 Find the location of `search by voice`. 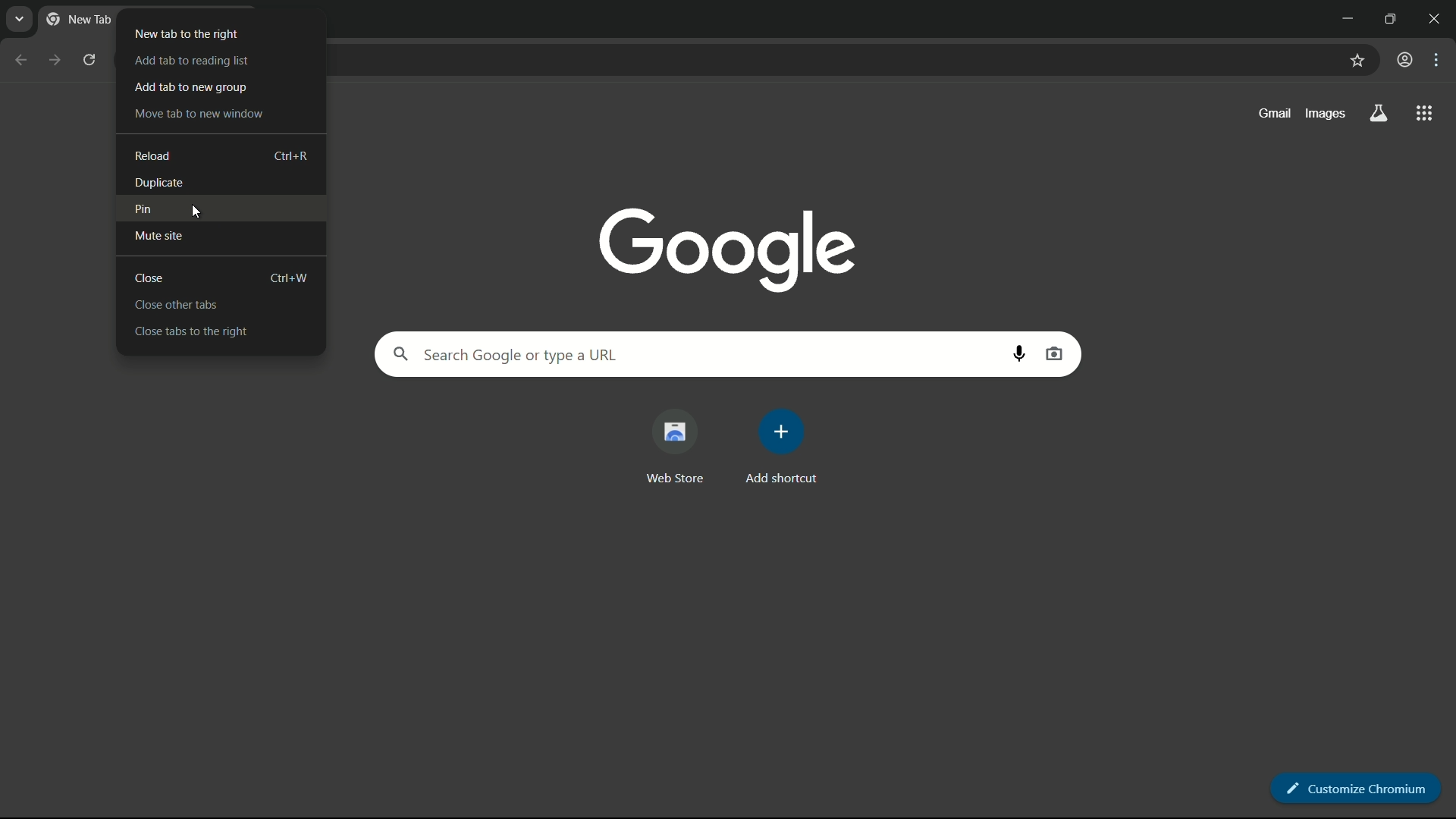

search by voice is located at coordinates (1023, 356).